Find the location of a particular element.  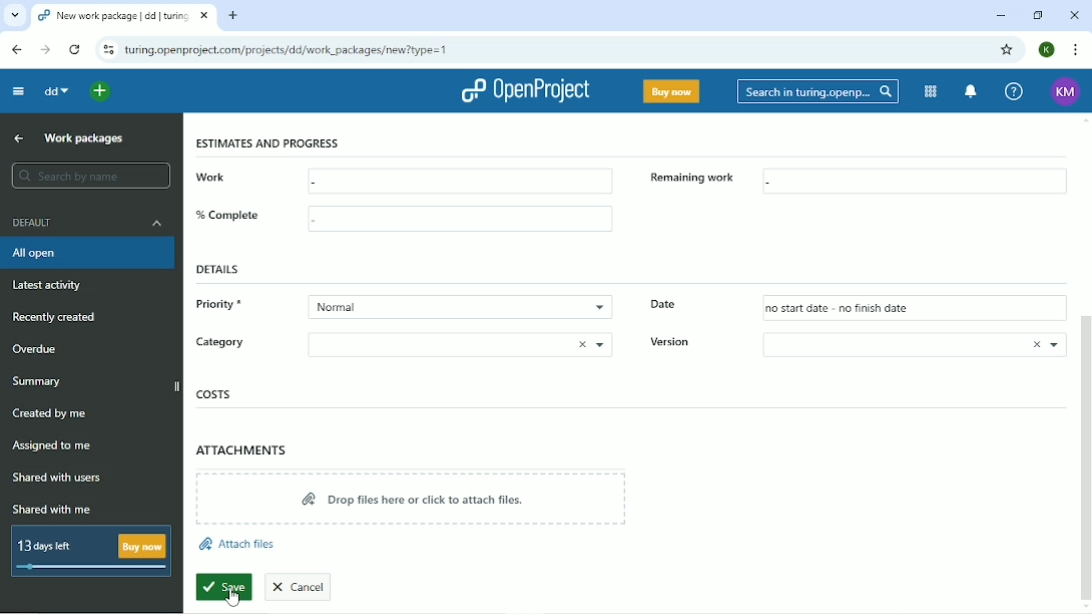

Attachments is located at coordinates (242, 450).